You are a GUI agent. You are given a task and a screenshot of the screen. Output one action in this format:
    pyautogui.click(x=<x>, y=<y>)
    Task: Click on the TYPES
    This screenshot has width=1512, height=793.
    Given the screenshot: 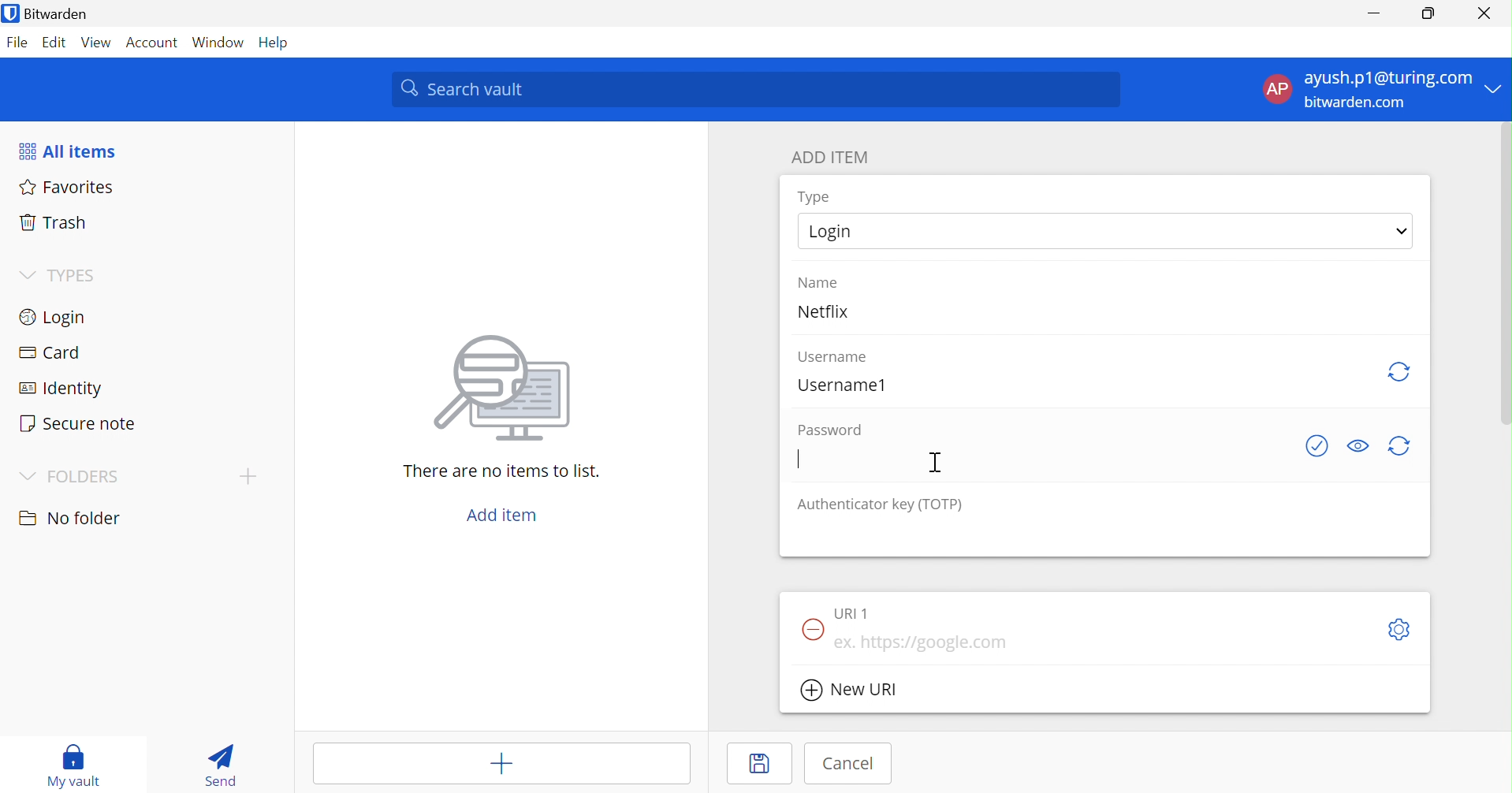 What is the action you would take?
    pyautogui.click(x=60, y=275)
    